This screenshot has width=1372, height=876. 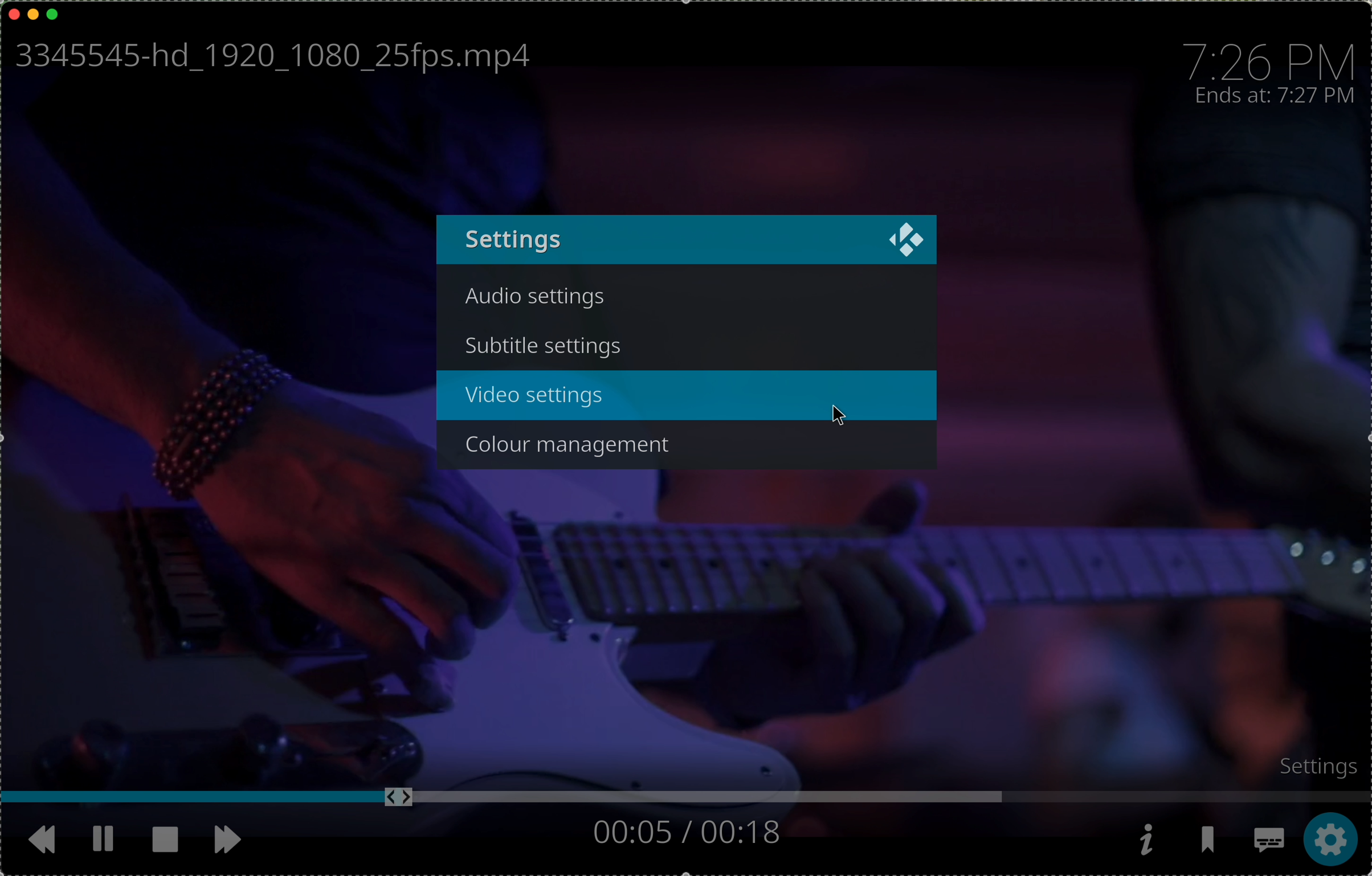 What do you see at coordinates (1146, 840) in the screenshot?
I see `information video` at bounding box center [1146, 840].